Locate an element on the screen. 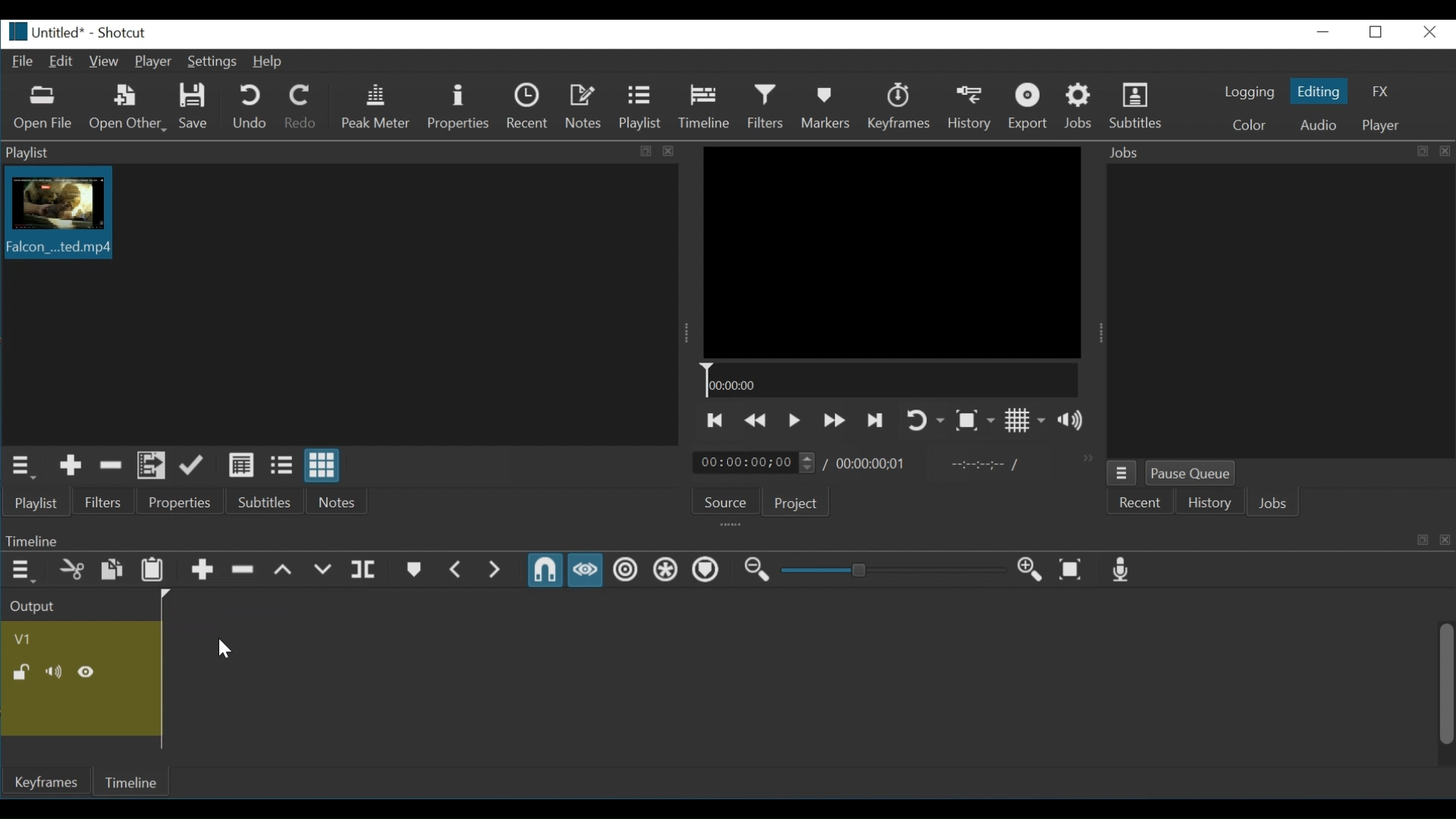 Image resolution: width=1456 pixels, height=819 pixels. Toggle play or pause is located at coordinates (794, 421).